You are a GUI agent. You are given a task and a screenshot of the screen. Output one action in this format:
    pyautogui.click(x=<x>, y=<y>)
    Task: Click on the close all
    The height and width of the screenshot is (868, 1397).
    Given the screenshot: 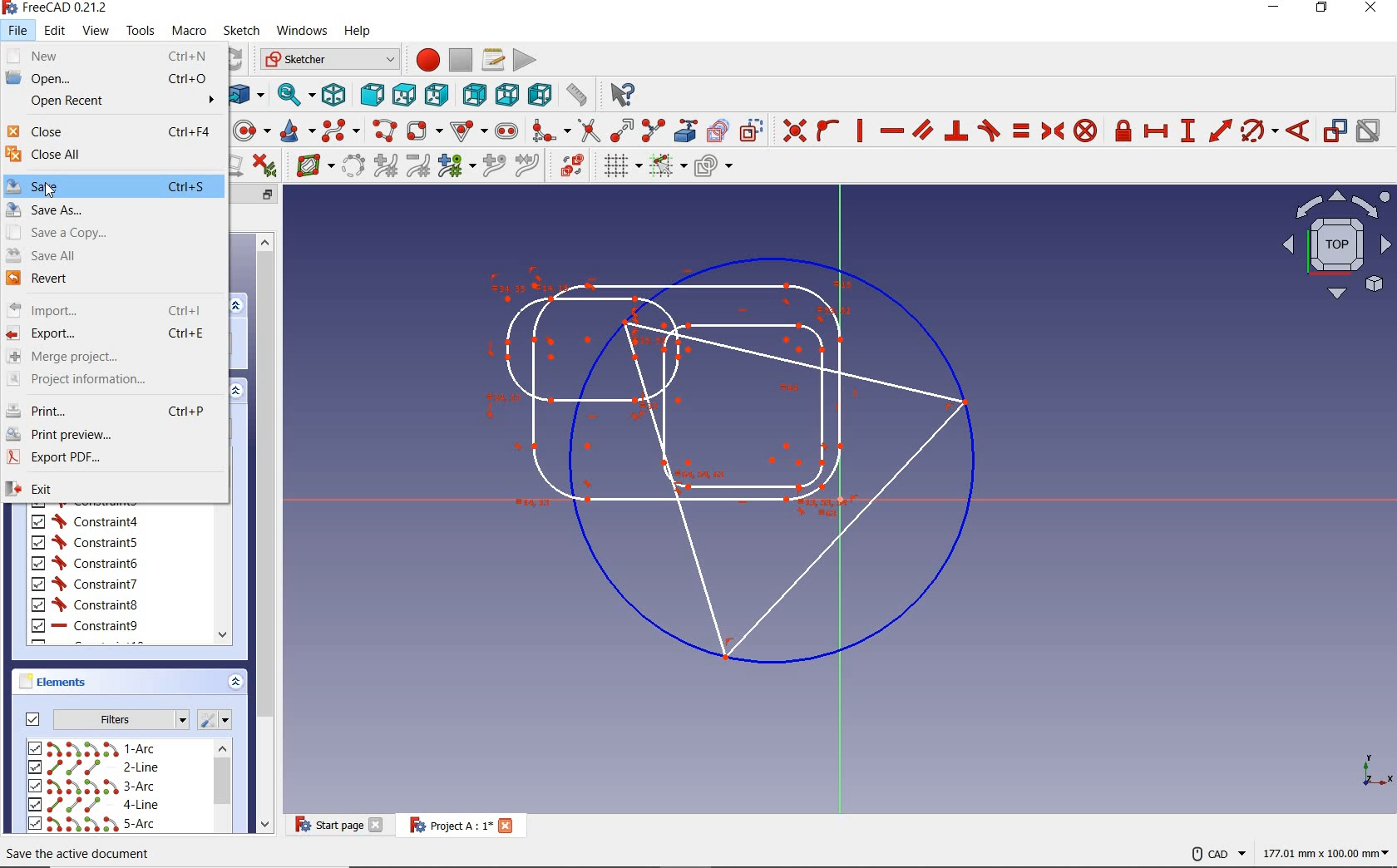 What is the action you would take?
    pyautogui.click(x=112, y=155)
    